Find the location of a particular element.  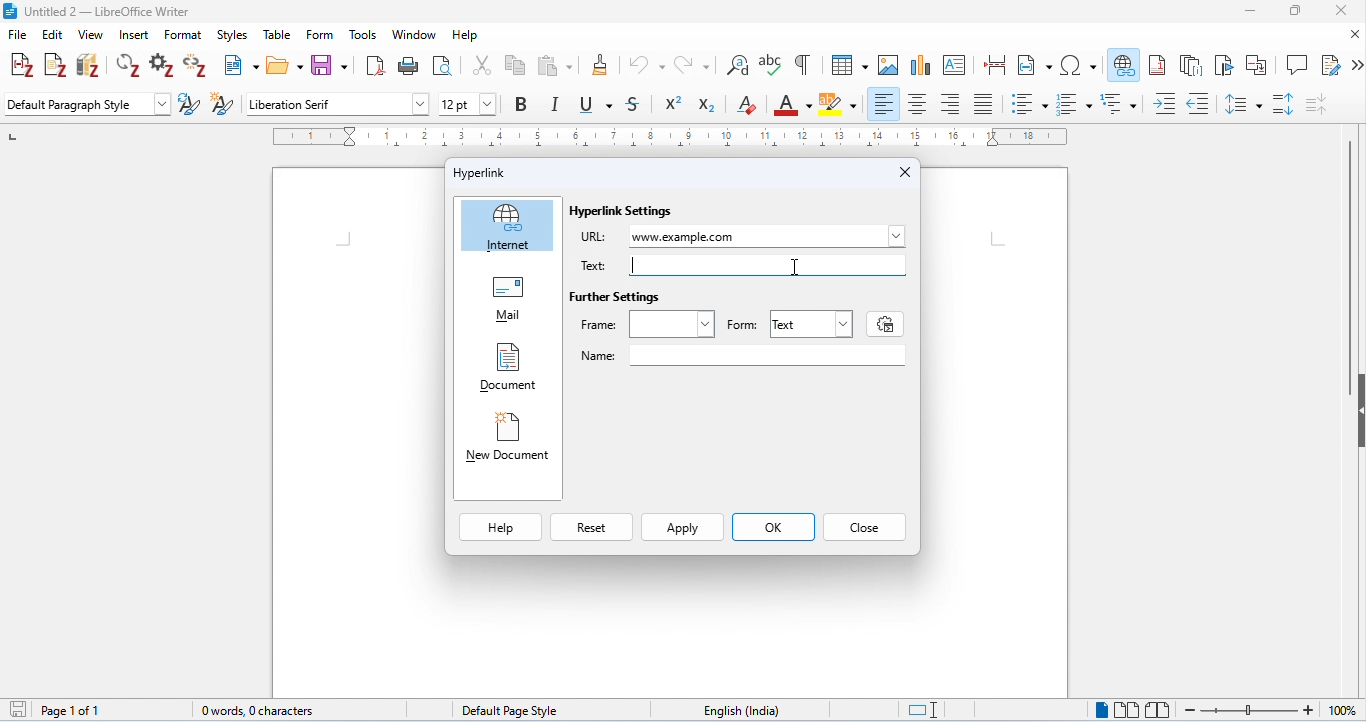

page 1 of 1 is located at coordinates (73, 711).